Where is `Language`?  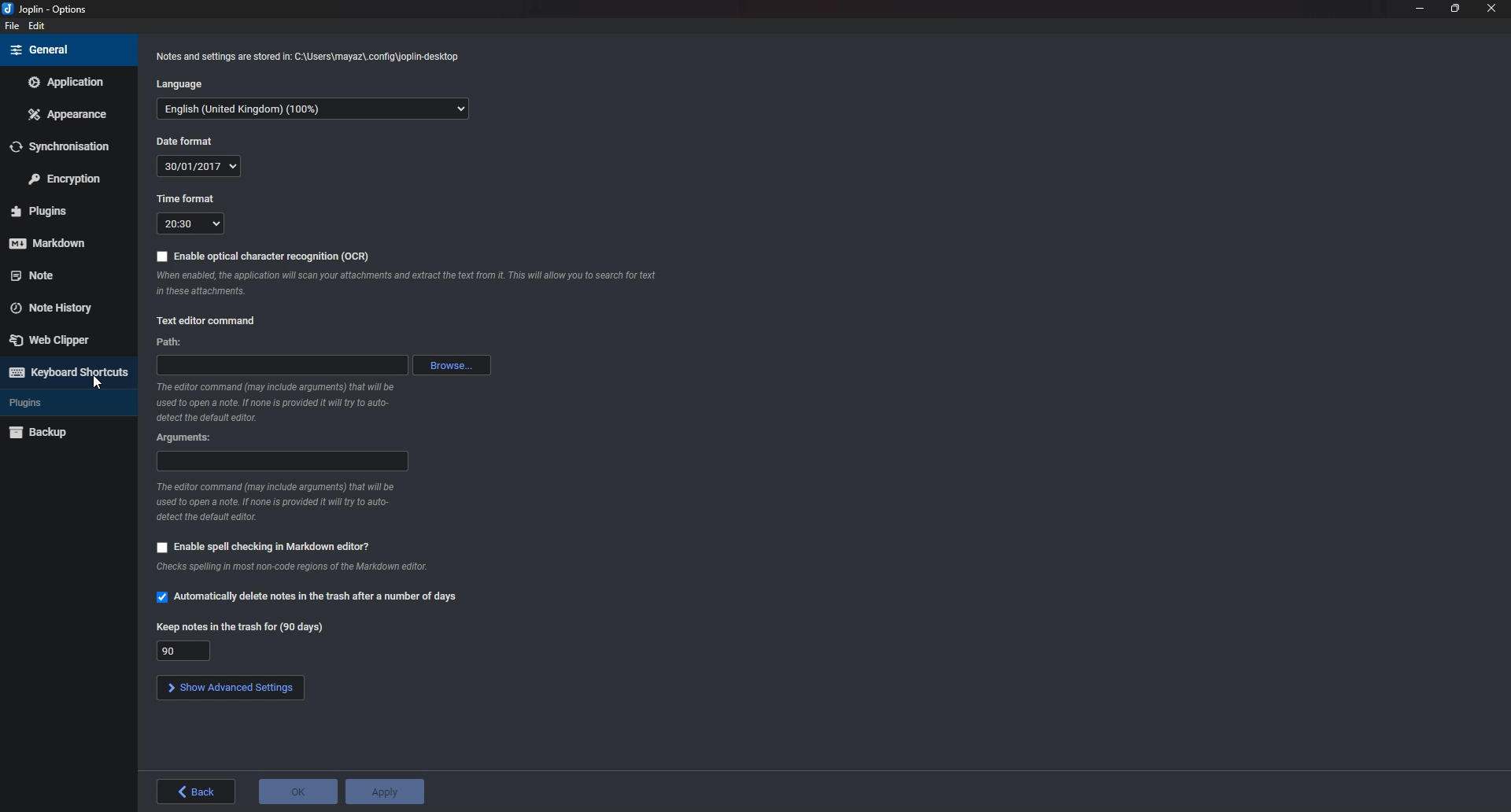
Language is located at coordinates (313, 110).